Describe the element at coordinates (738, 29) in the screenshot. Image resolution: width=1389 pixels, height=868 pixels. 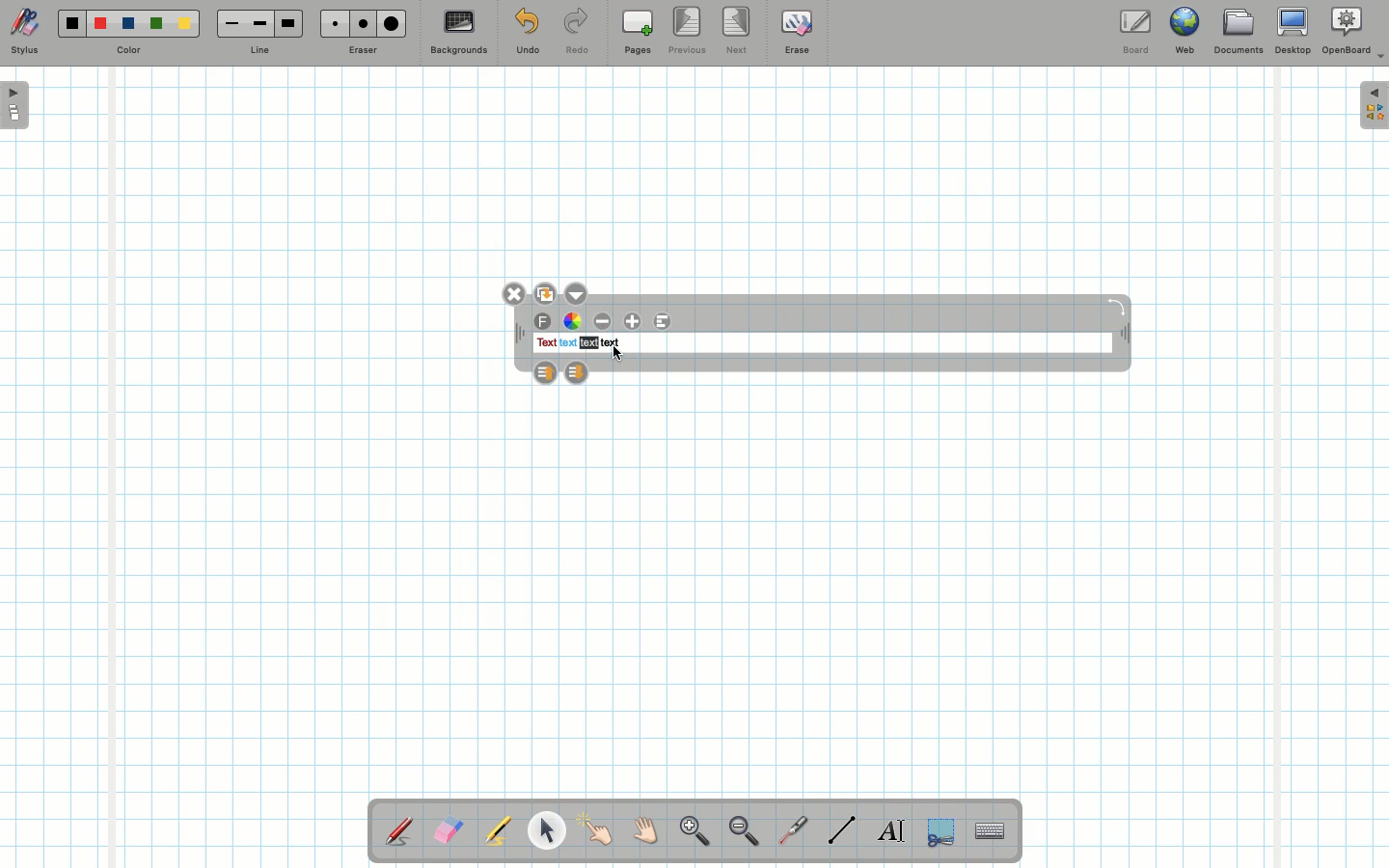
I see `Next` at that location.